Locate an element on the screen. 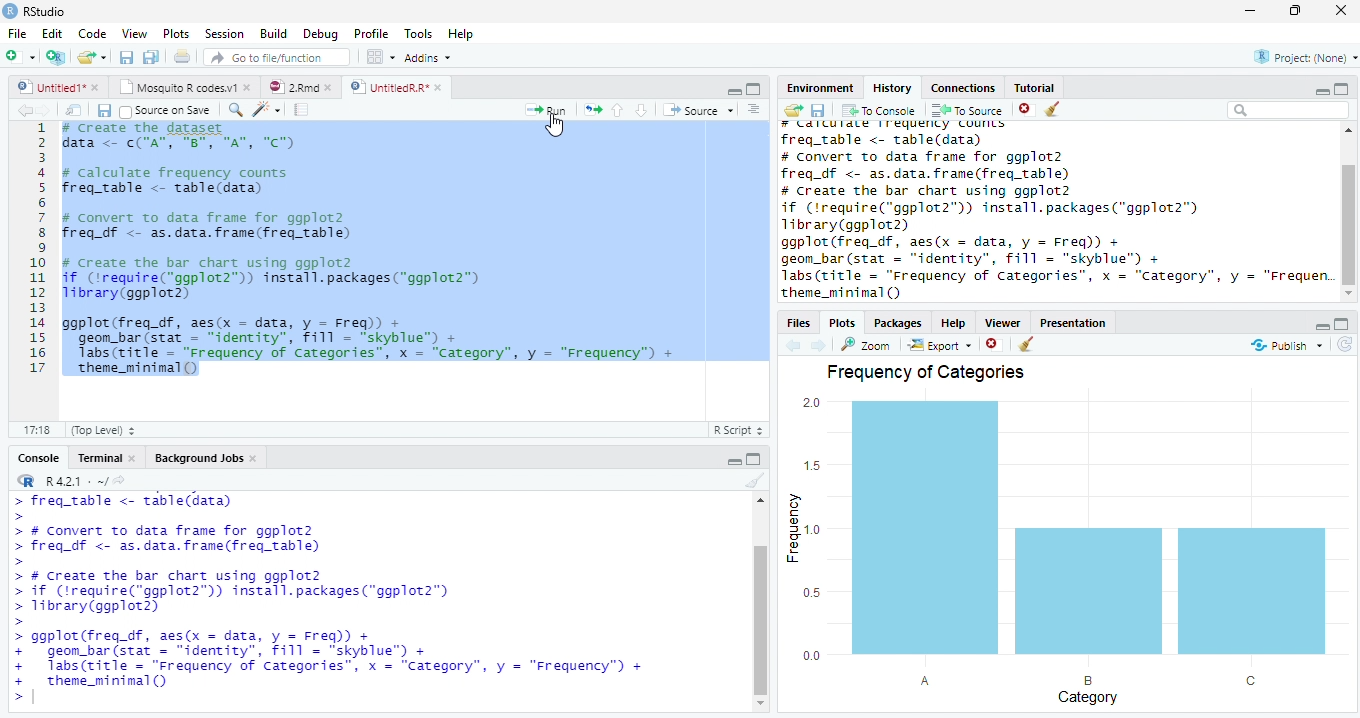 The height and width of the screenshot is (718, 1360). Plots is located at coordinates (177, 35).